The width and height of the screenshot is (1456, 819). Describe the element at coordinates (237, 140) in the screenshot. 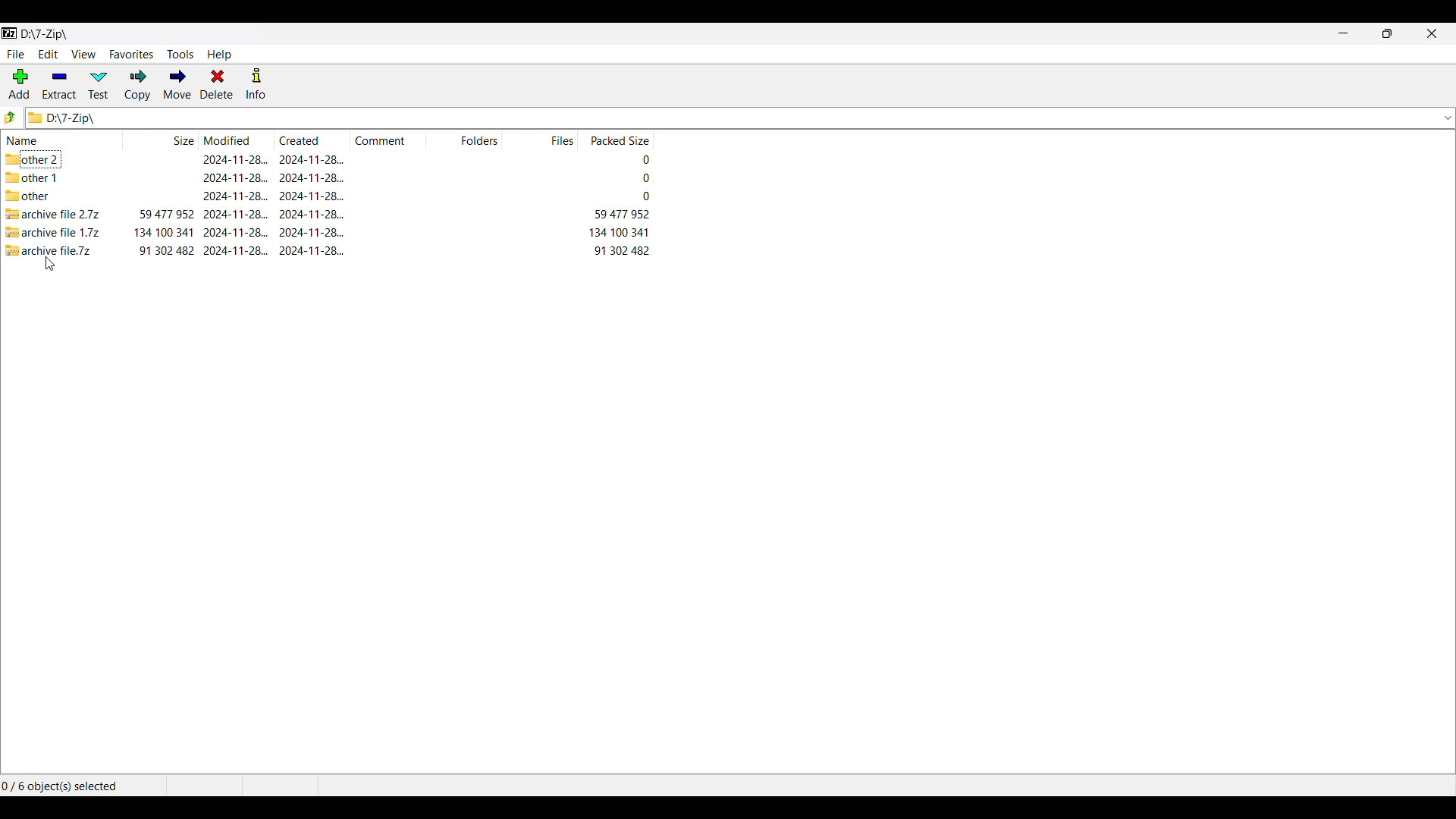

I see `Modified column` at that location.